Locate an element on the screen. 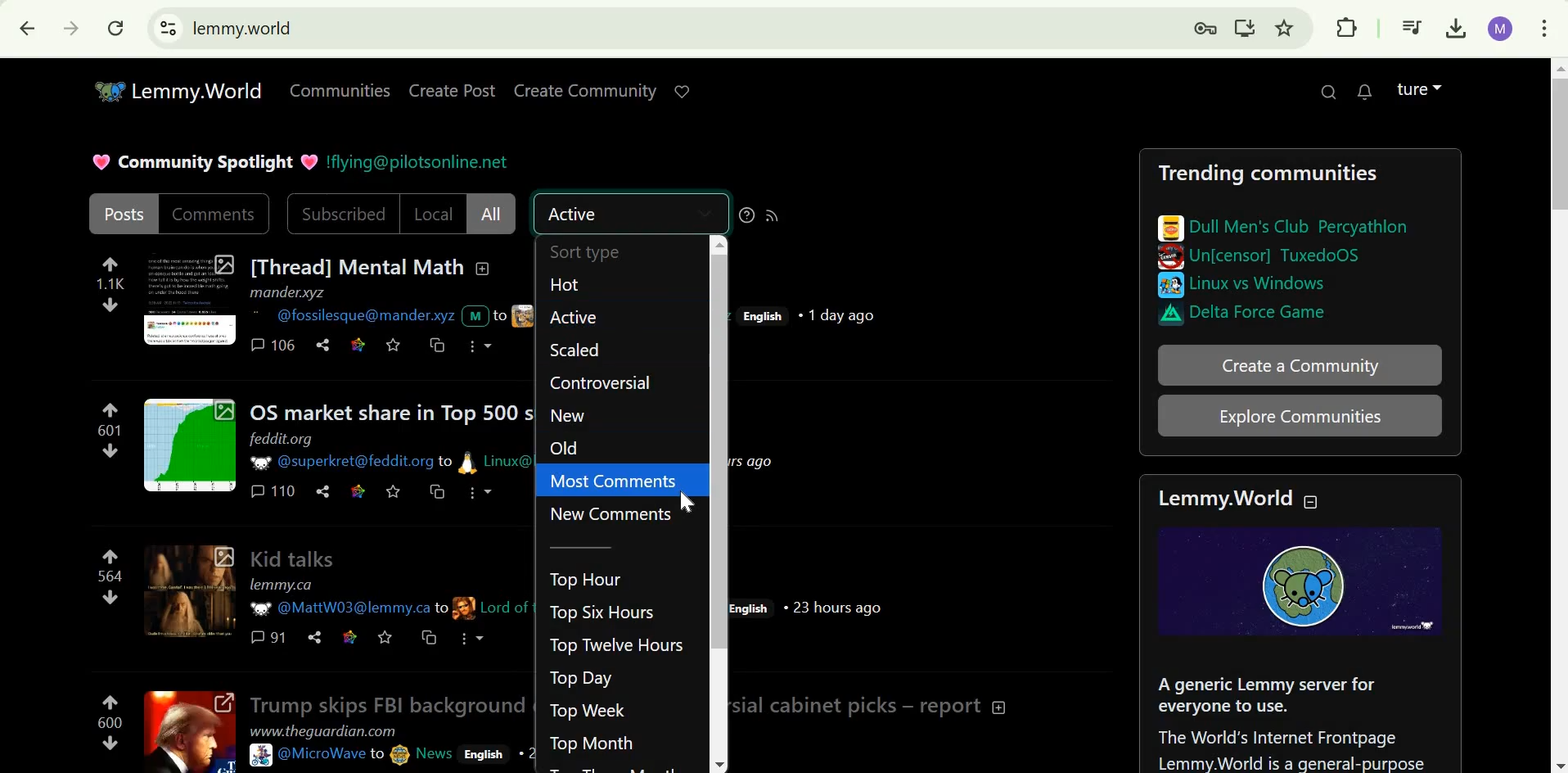 Image resolution: width=1568 pixels, height=773 pixels. Expand is located at coordinates (191, 445).